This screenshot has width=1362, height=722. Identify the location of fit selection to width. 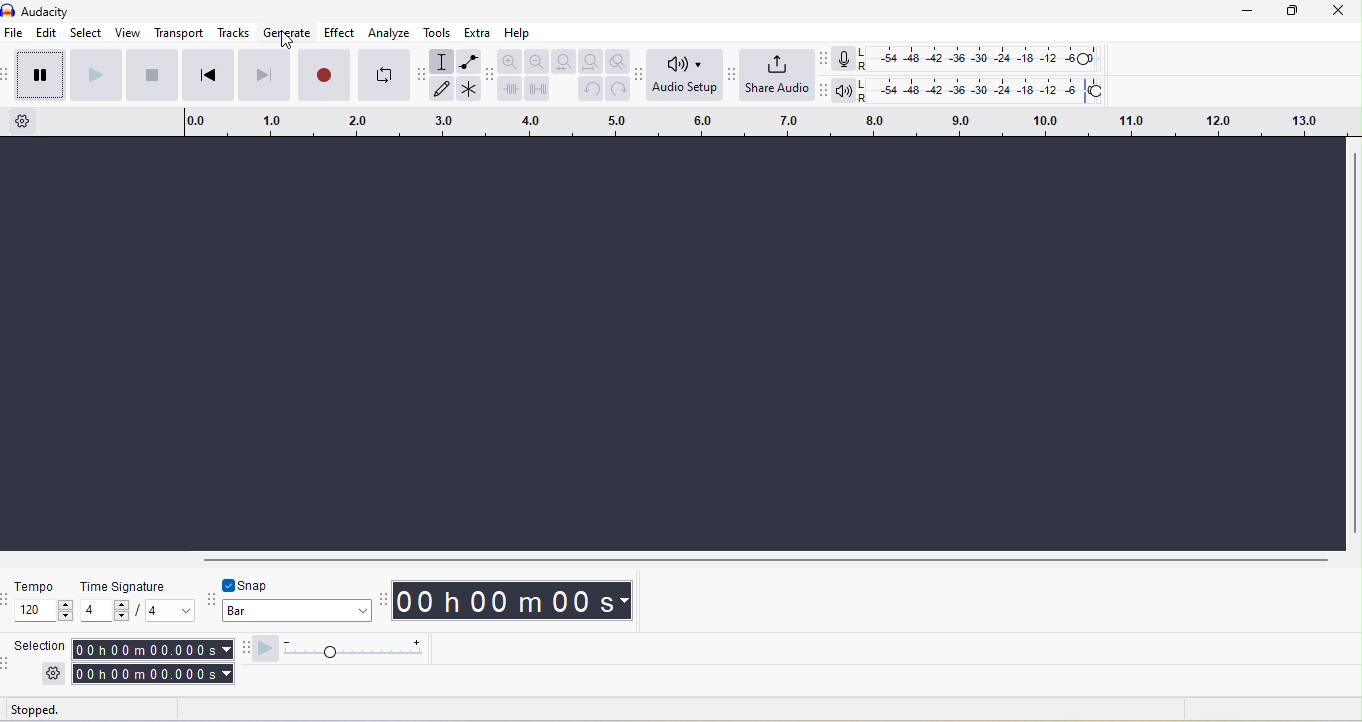
(561, 61).